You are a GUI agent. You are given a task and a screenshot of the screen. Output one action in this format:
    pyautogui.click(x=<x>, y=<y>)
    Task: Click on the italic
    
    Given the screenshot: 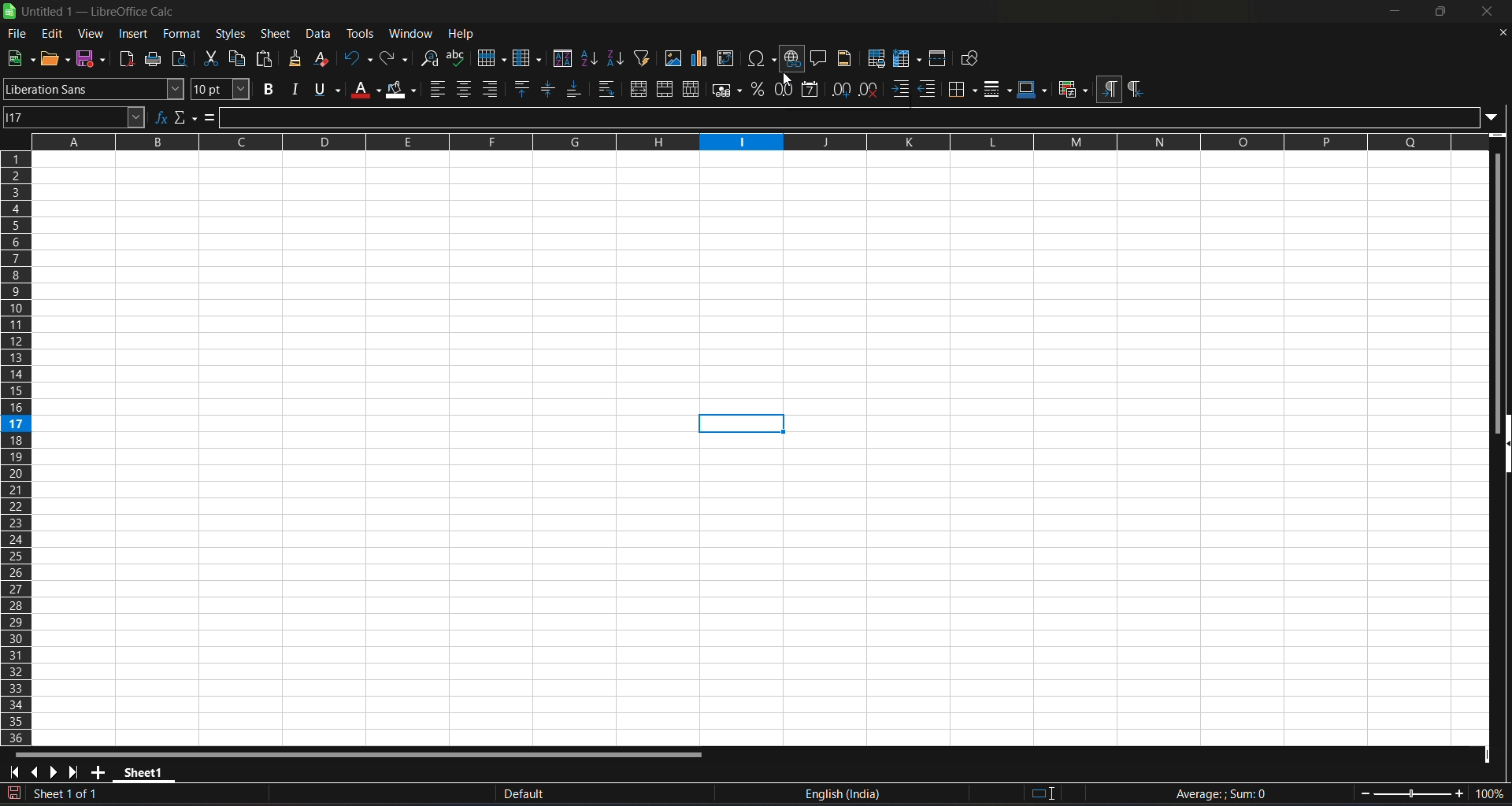 What is the action you would take?
    pyautogui.click(x=295, y=88)
    